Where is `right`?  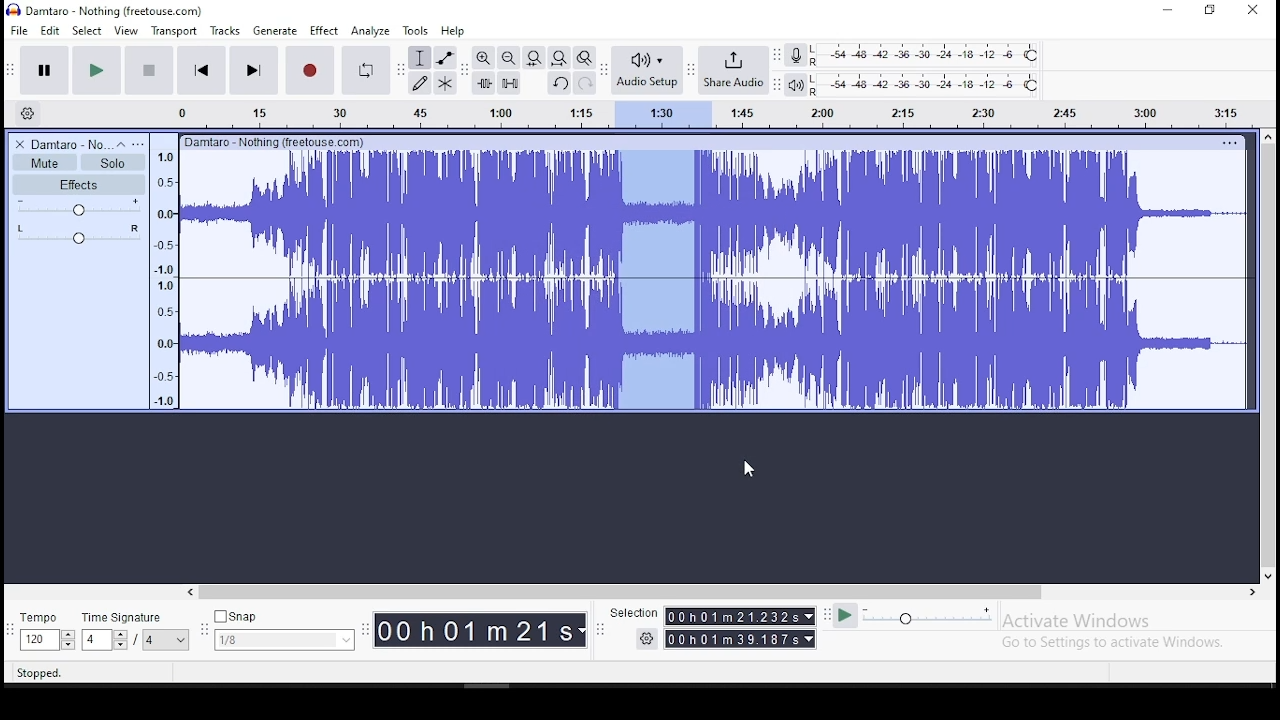 right is located at coordinates (1251, 592).